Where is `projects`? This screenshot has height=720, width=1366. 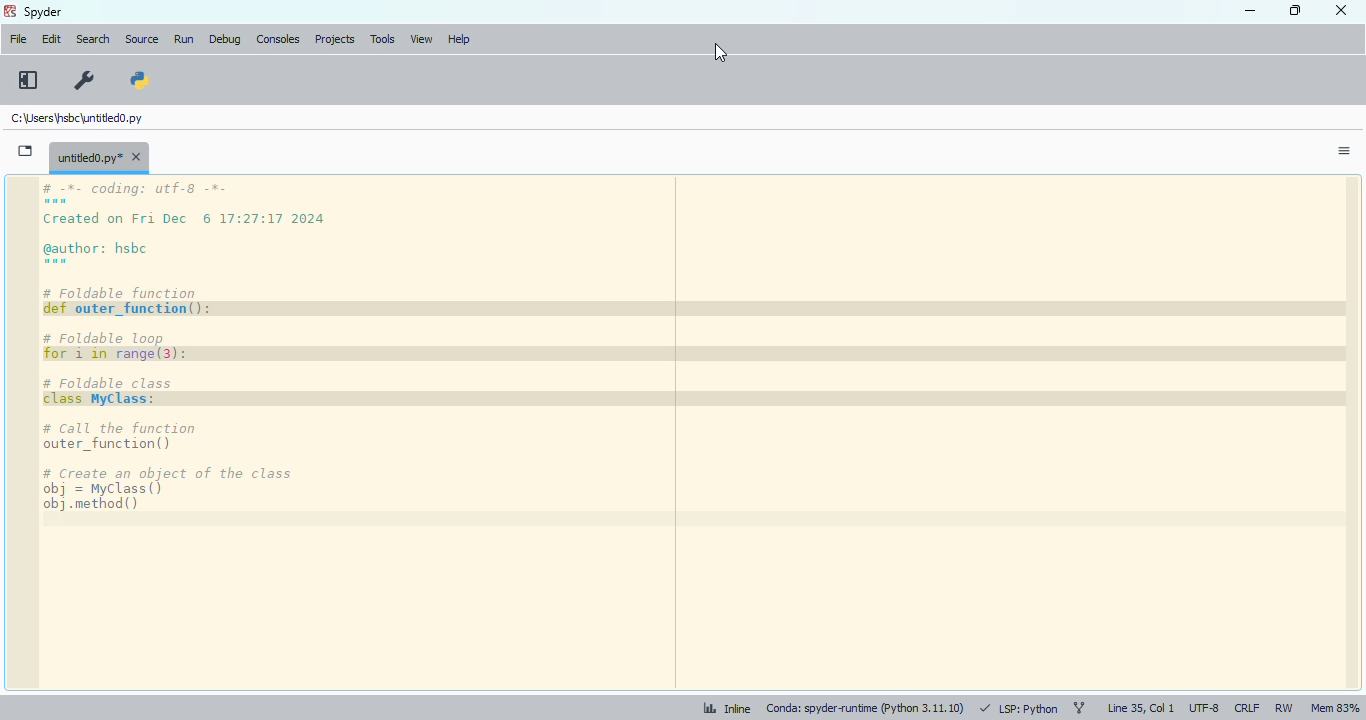 projects is located at coordinates (336, 39).